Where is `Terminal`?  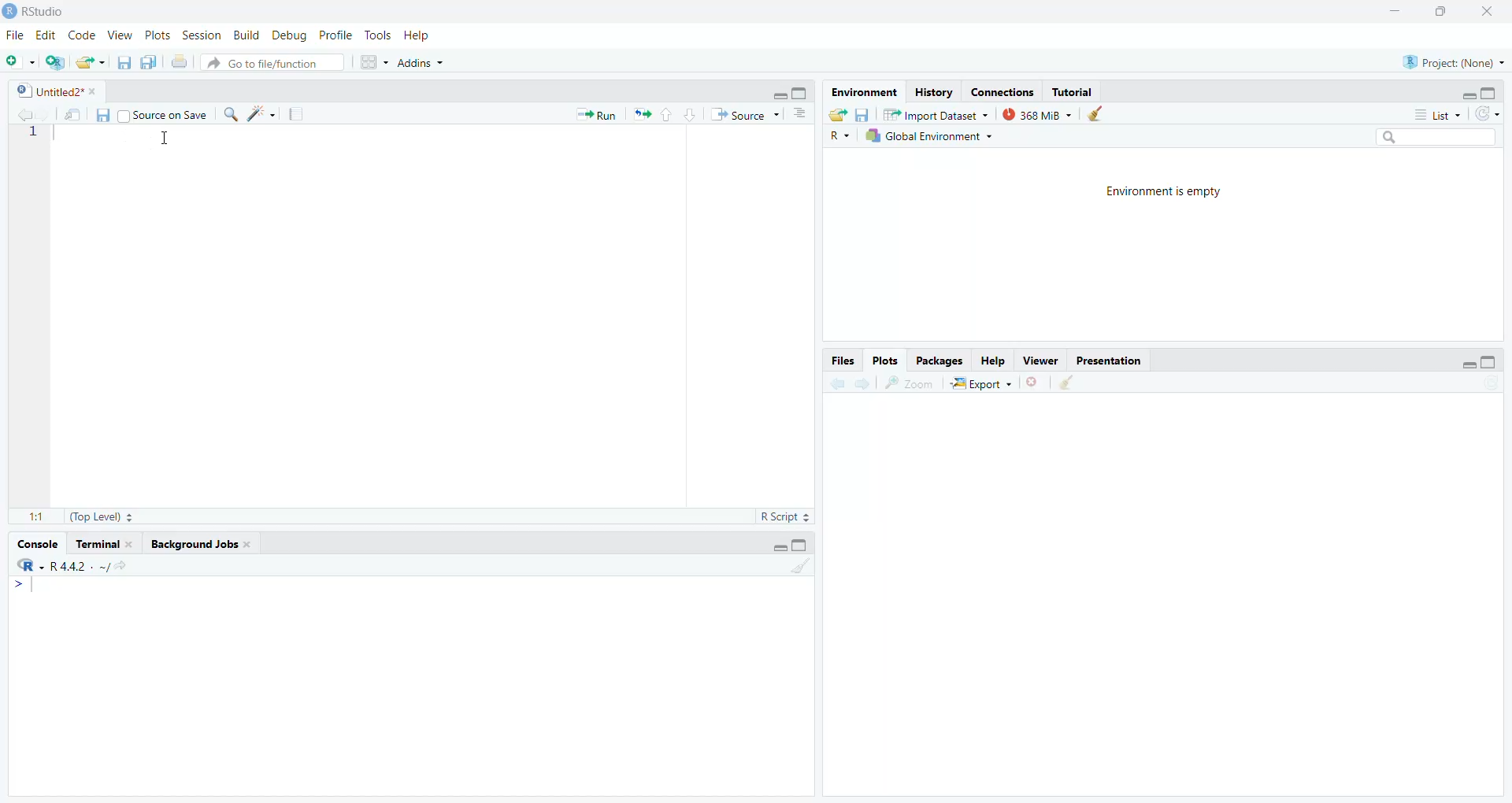
Terminal is located at coordinates (106, 544).